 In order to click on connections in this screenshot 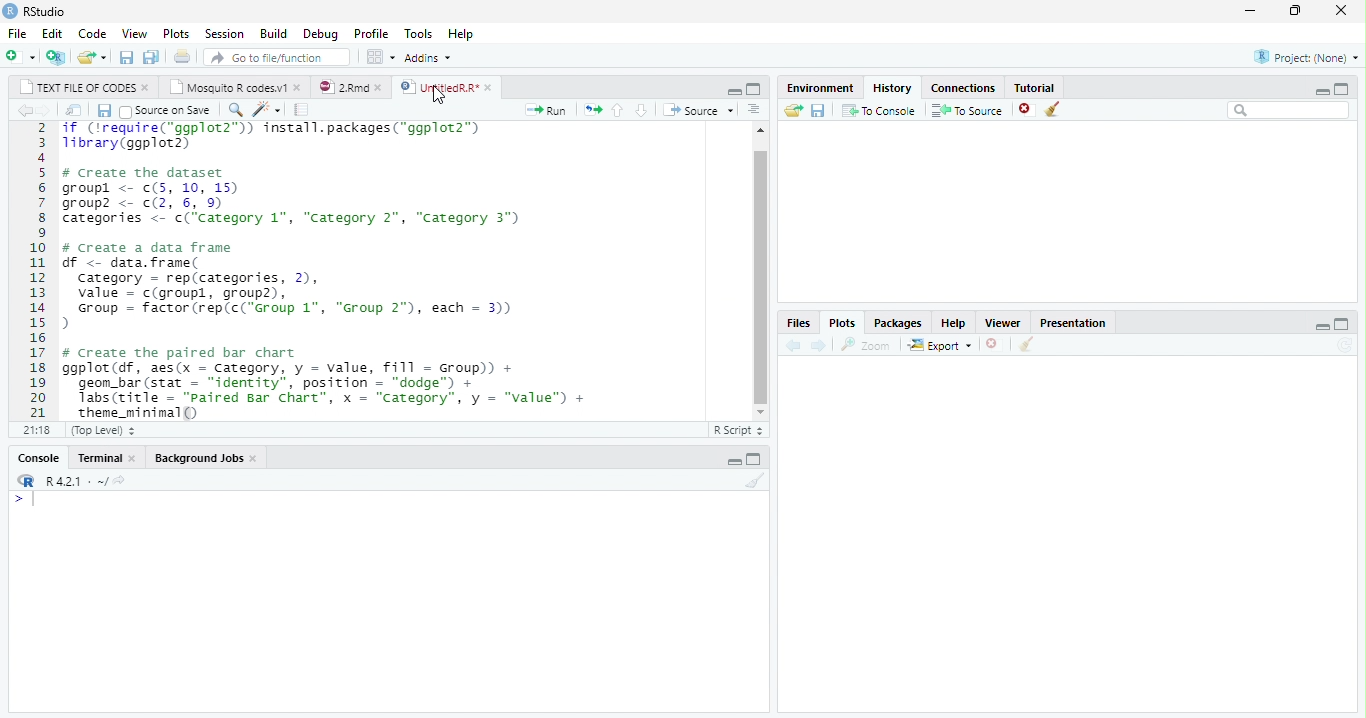, I will do `click(962, 88)`.